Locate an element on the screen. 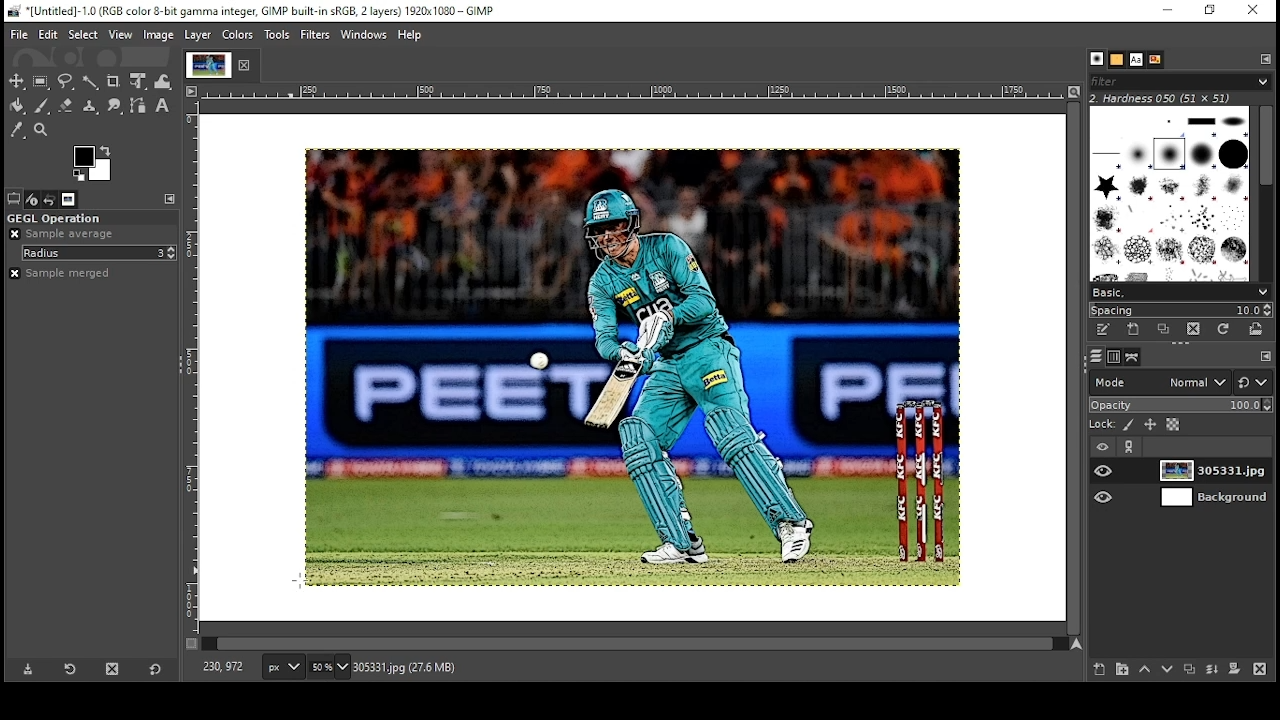  refresh brushes is located at coordinates (1225, 329).